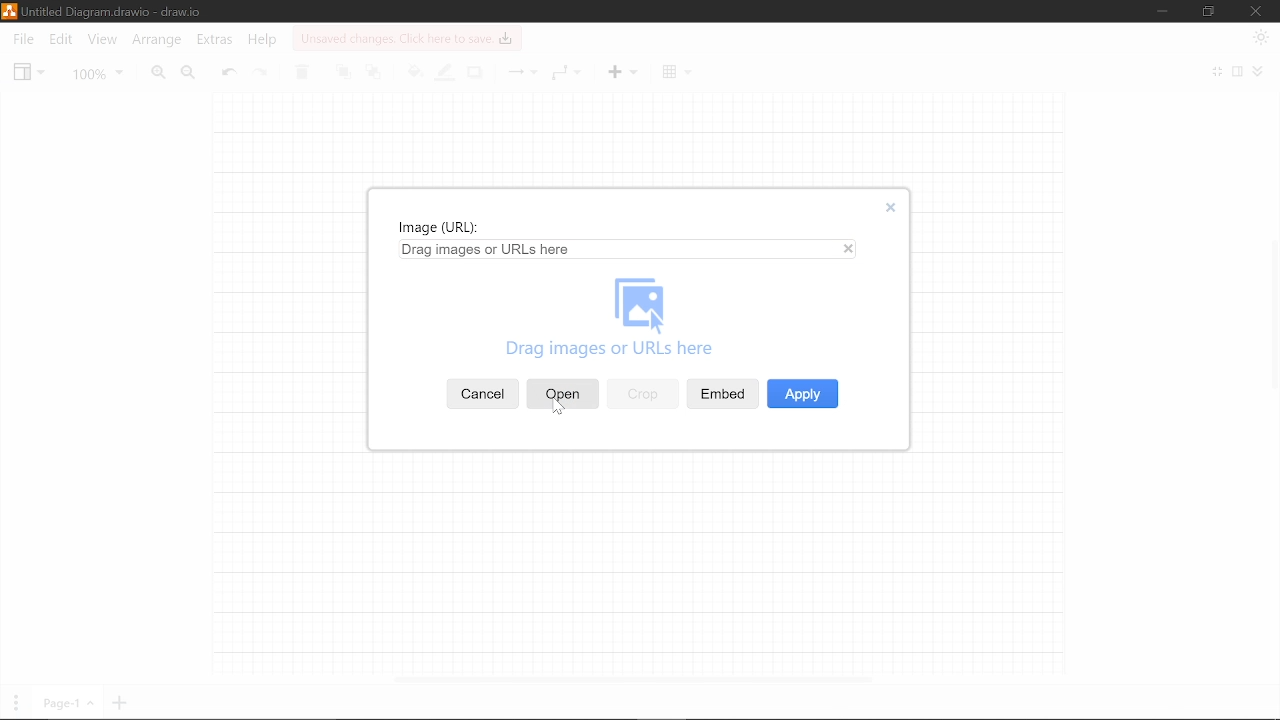 This screenshot has height=720, width=1280. What do you see at coordinates (154, 72) in the screenshot?
I see `Zoom in` at bounding box center [154, 72].